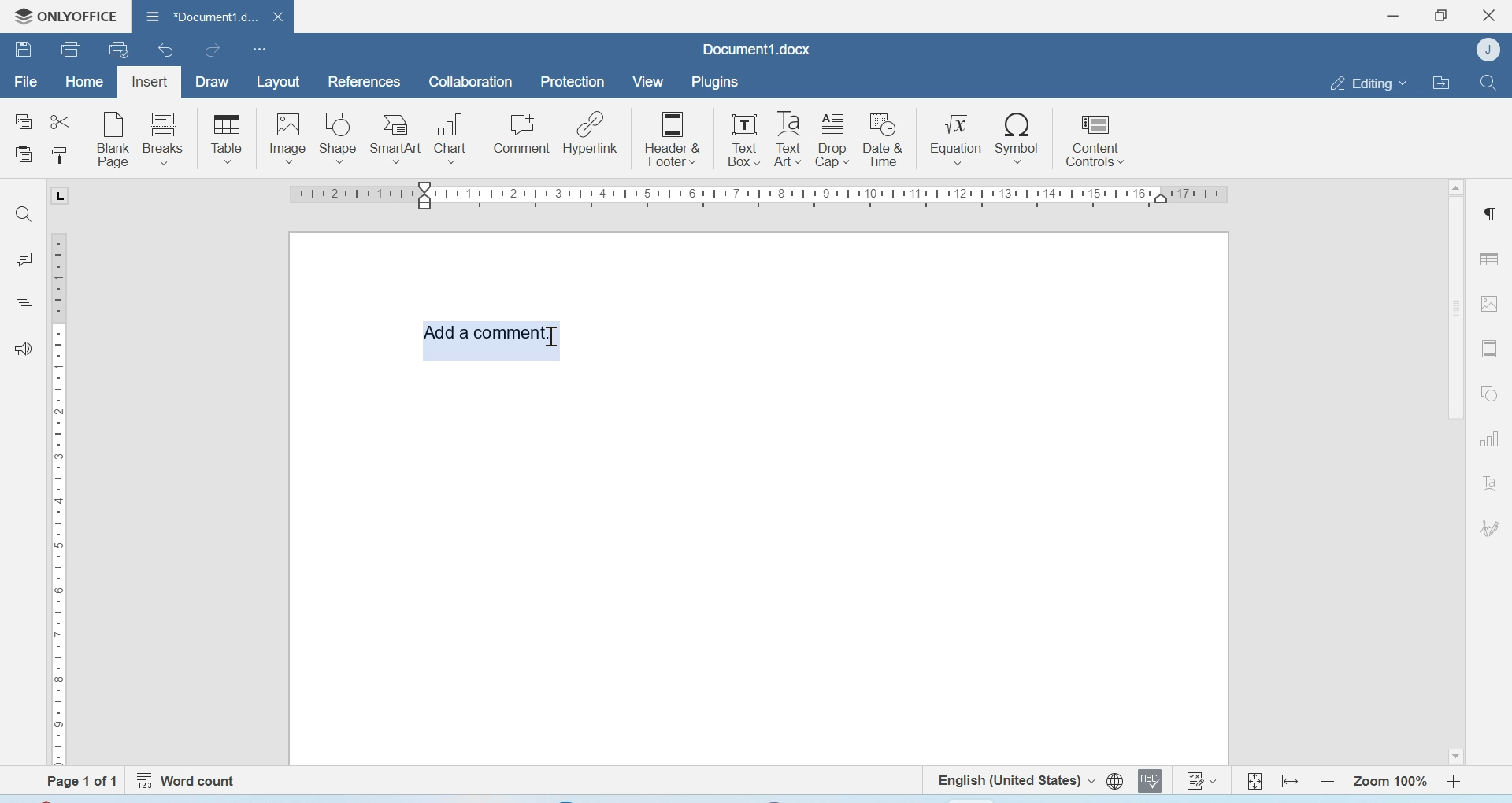 The width and height of the screenshot is (1512, 803). I want to click on Content controls, so click(1094, 138).